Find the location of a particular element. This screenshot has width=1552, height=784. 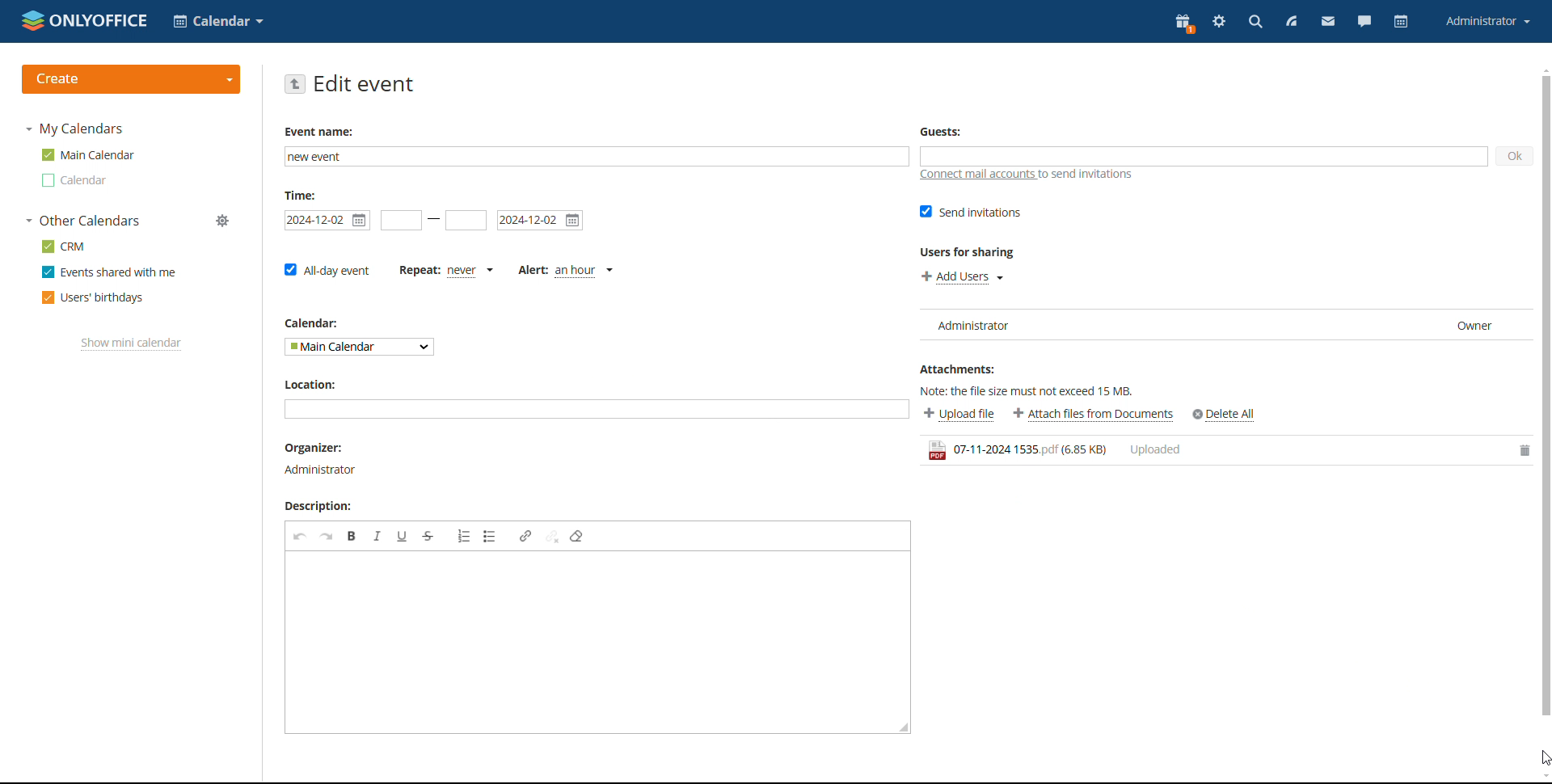

start date is located at coordinates (402, 220).